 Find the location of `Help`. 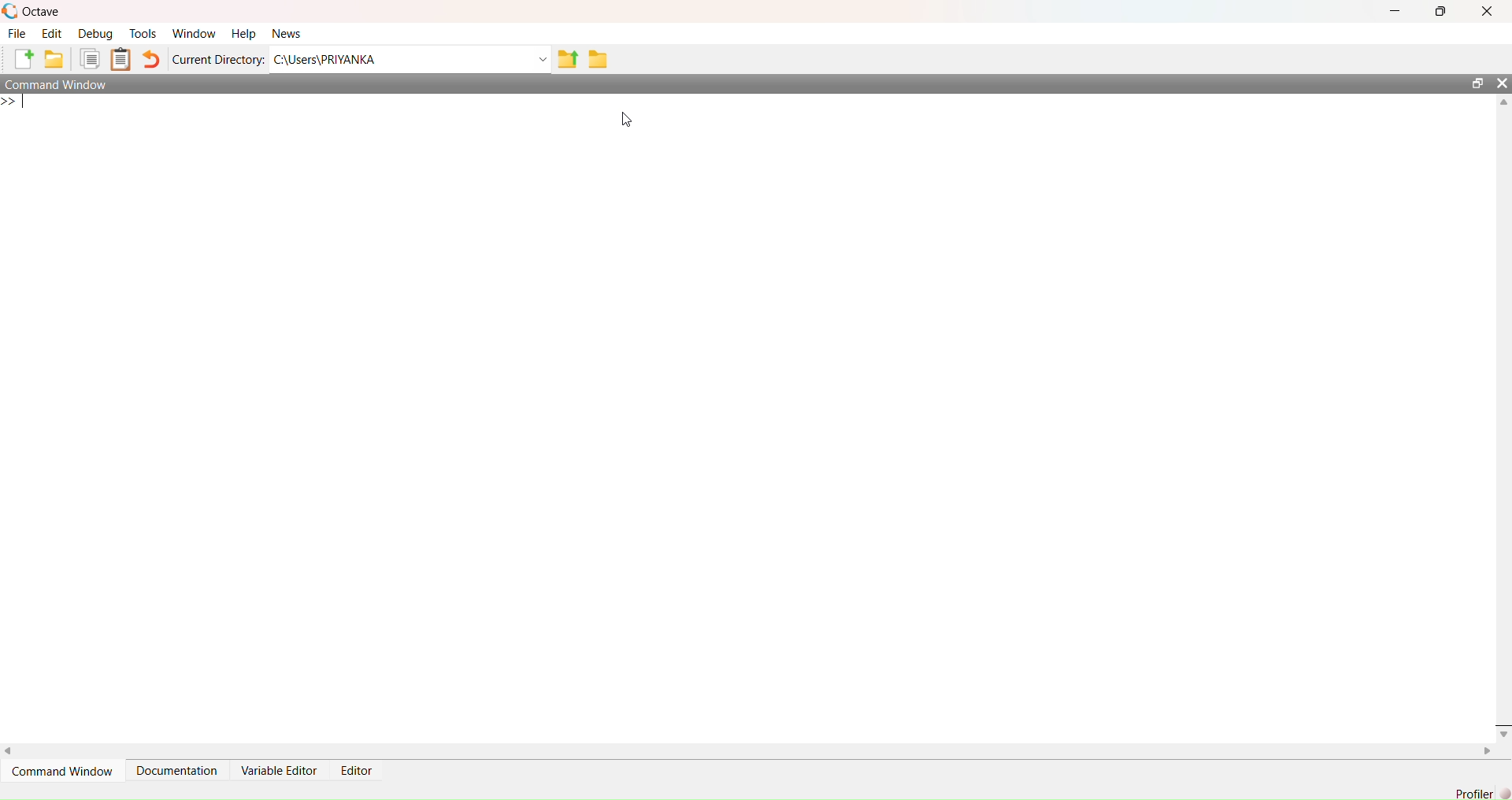

Help is located at coordinates (242, 35).